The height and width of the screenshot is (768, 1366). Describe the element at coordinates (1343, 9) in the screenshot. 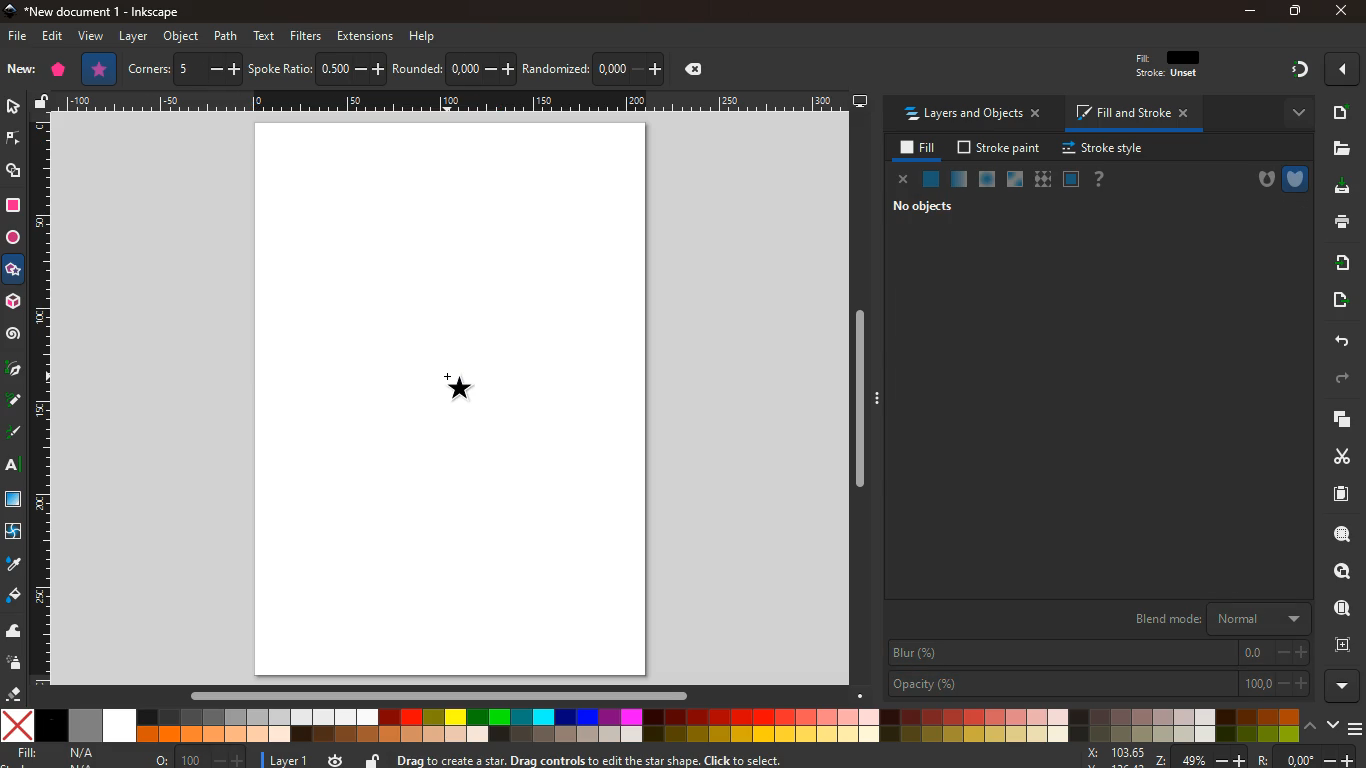

I see `close` at that location.